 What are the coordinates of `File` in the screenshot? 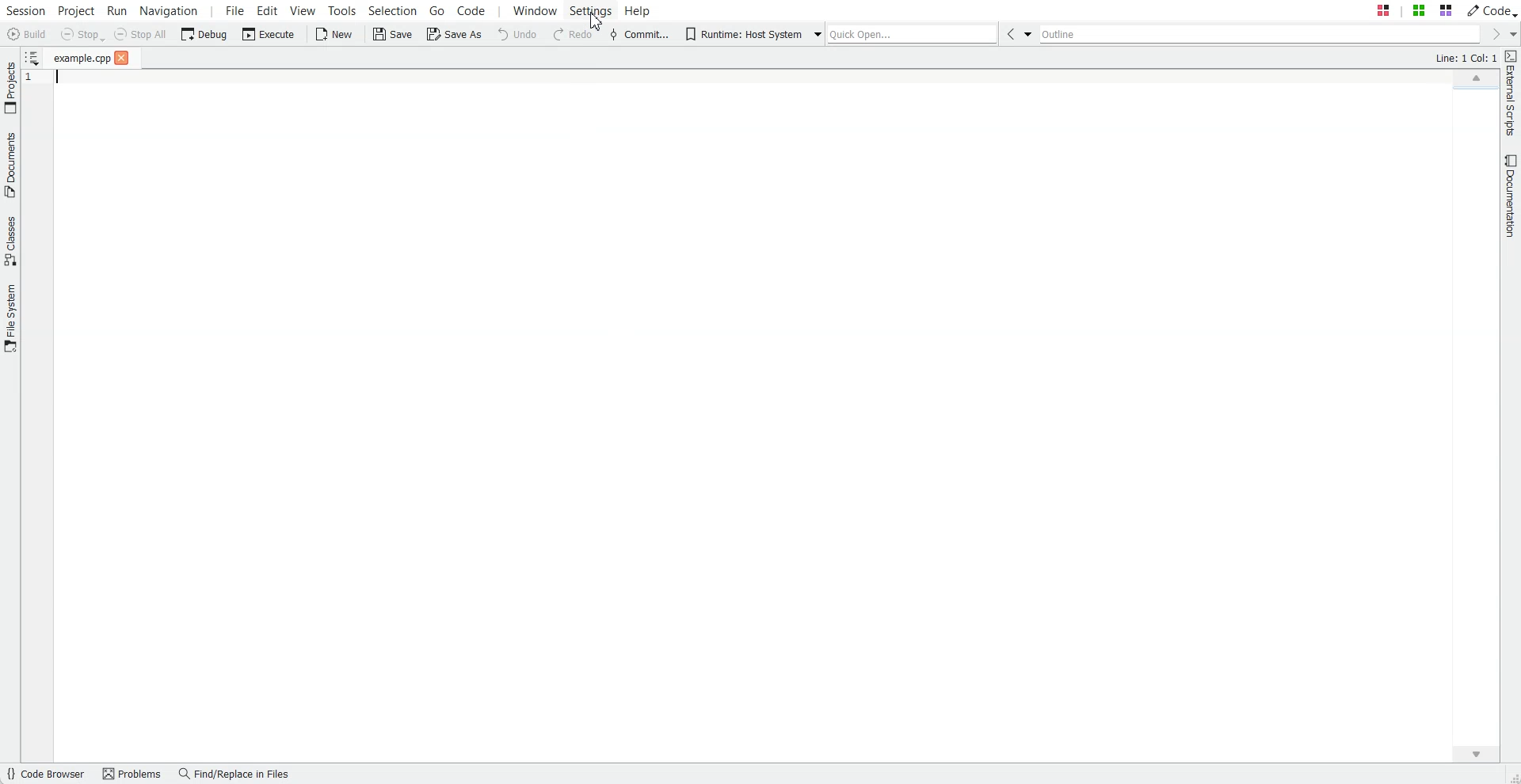 It's located at (82, 59).